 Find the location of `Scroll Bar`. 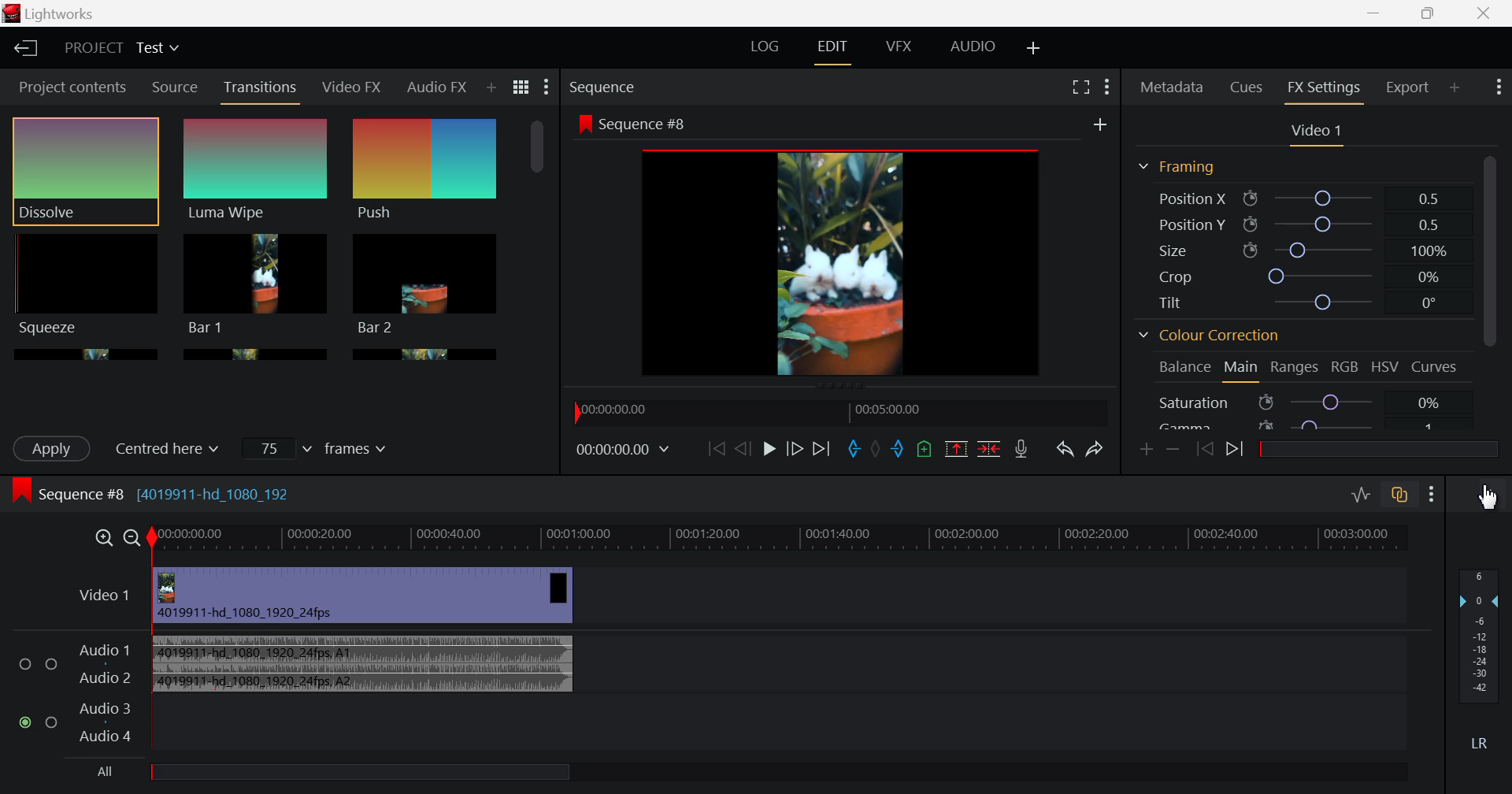

Scroll Bar is located at coordinates (537, 232).